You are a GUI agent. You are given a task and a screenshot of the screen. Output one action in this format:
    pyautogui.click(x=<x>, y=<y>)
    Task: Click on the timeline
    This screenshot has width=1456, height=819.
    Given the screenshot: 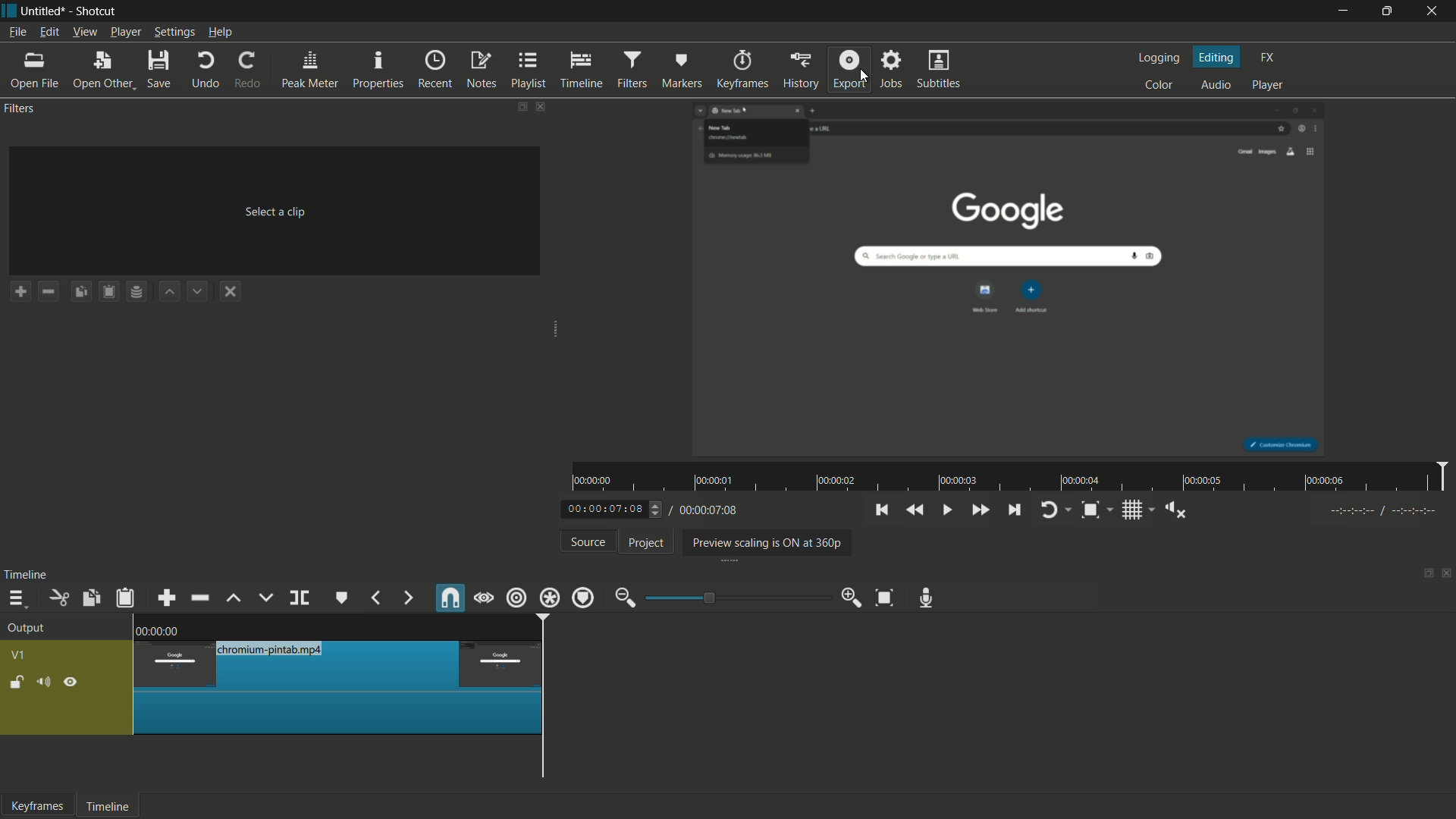 What is the action you would take?
    pyautogui.click(x=105, y=808)
    